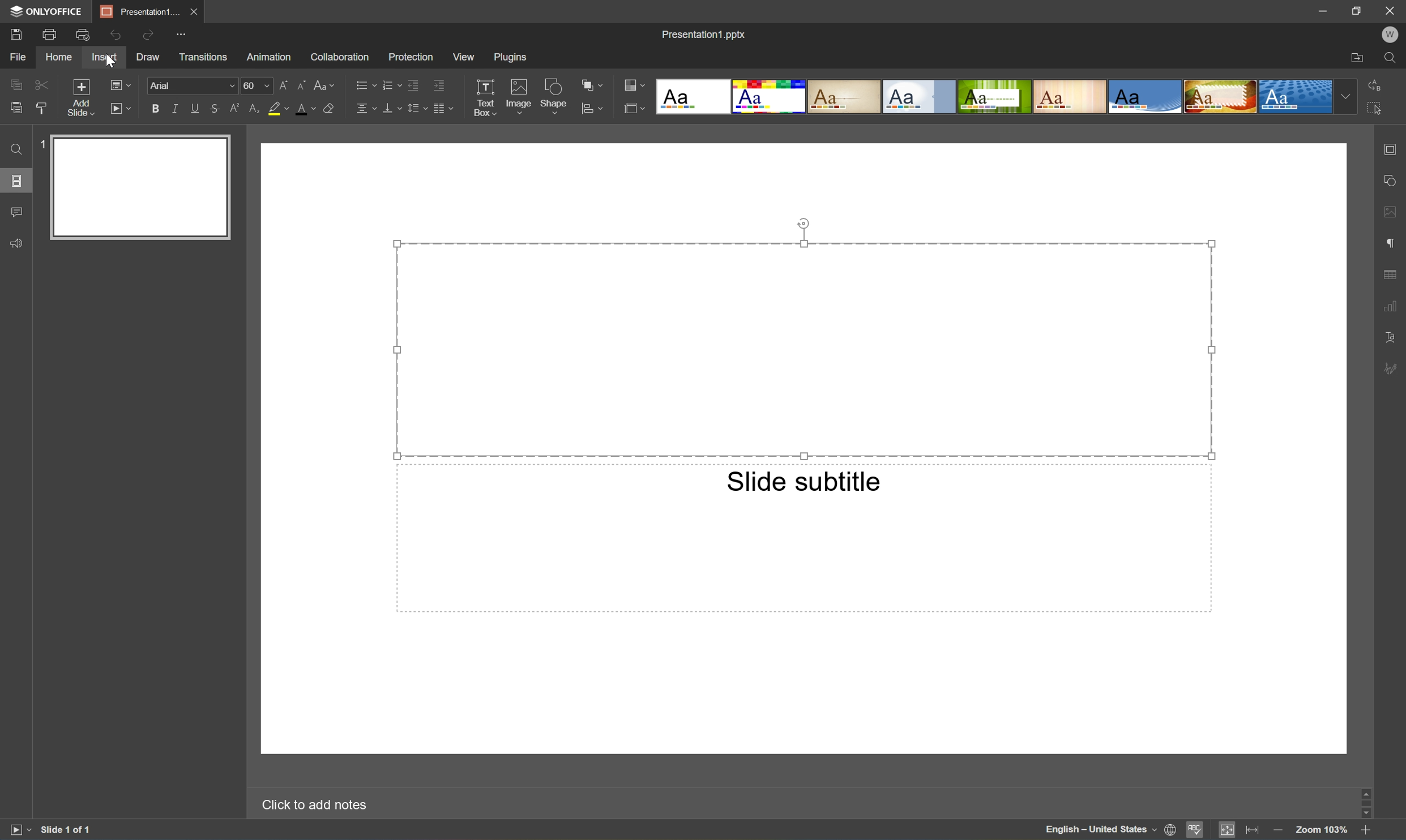 The width and height of the screenshot is (1406, 840). What do you see at coordinates (14, 148) in the screenshot?
I see `Find` at bounding box center [14, 148].